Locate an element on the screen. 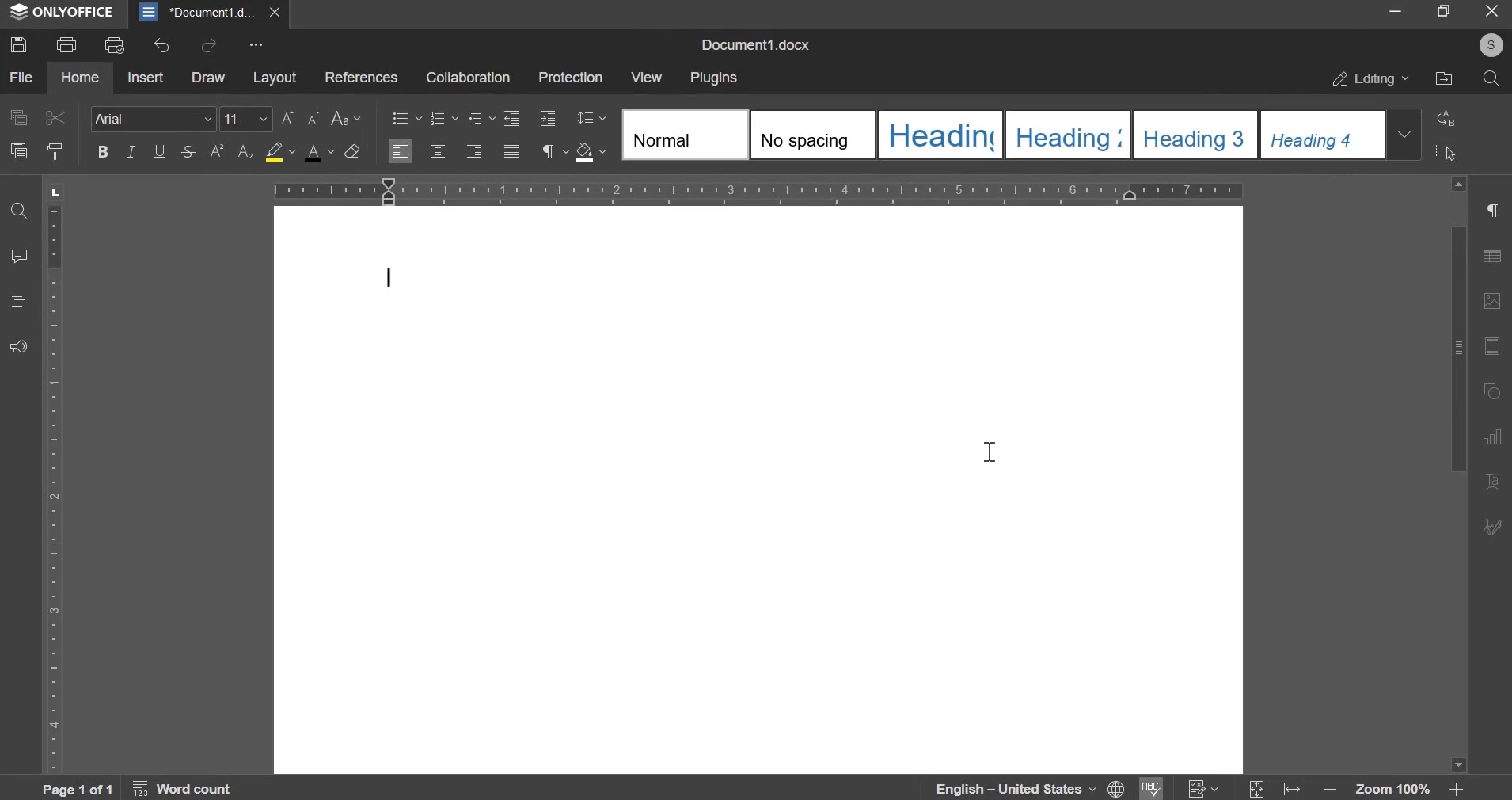 The width and height of the screenshot is (1512, 800). Heading 4 is located at coordinates (1323, 134).